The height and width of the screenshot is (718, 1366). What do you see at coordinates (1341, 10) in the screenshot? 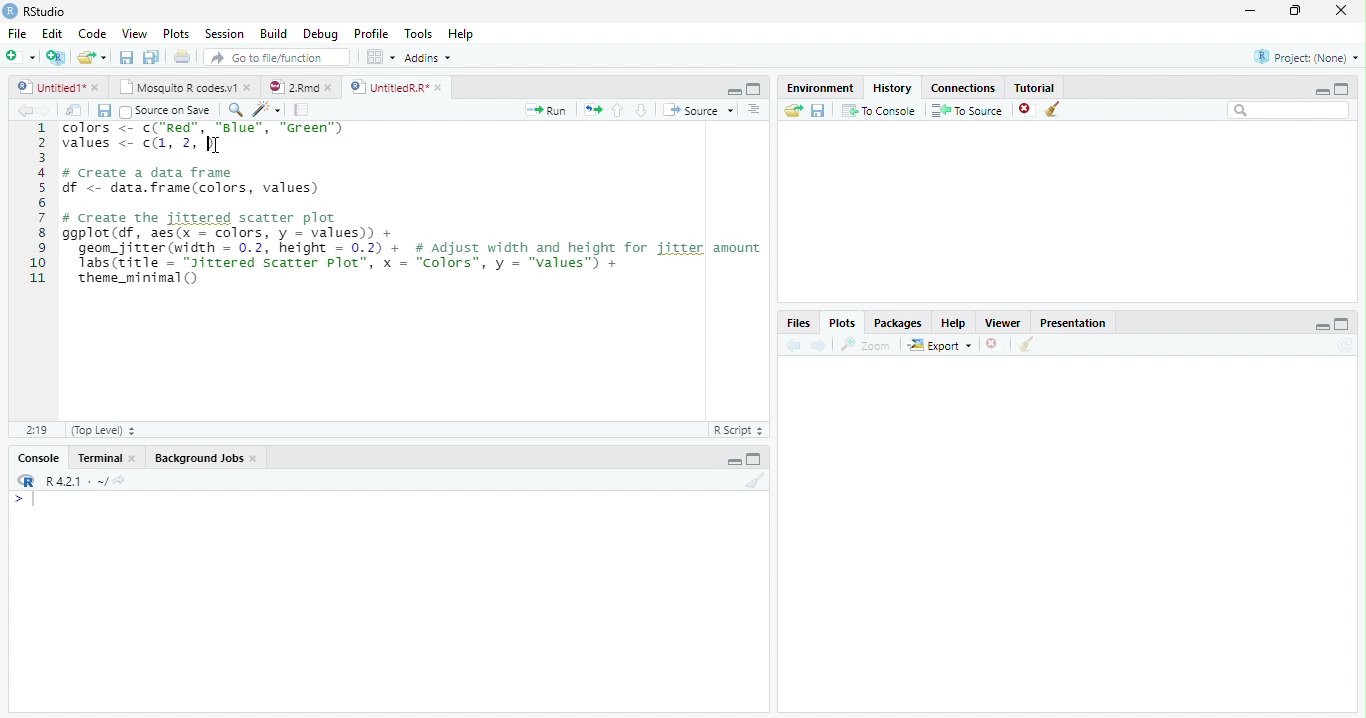
I see `close` at bounding box center [1341, 10].